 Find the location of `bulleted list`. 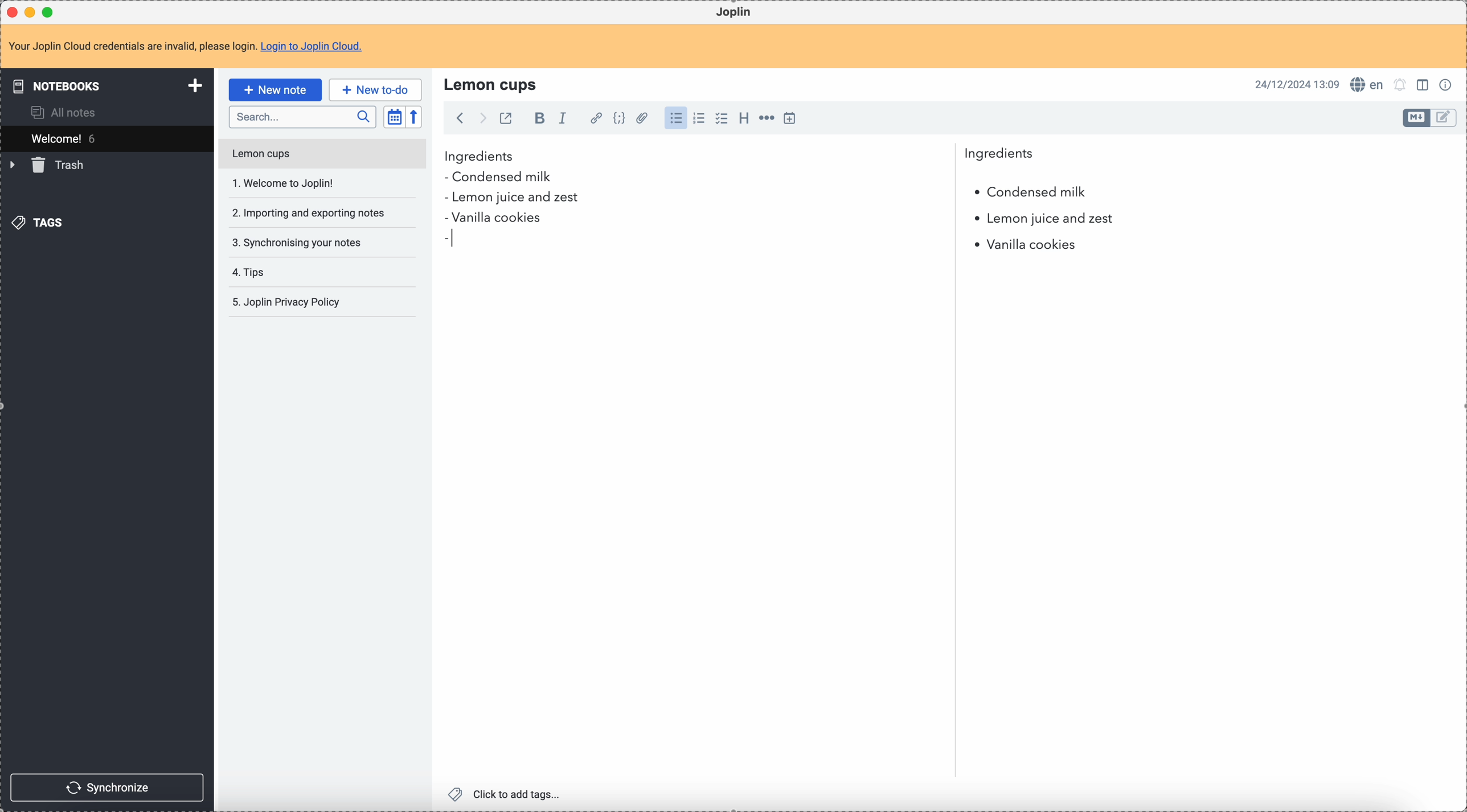

bulleted list is located at coordinates (674, 118).